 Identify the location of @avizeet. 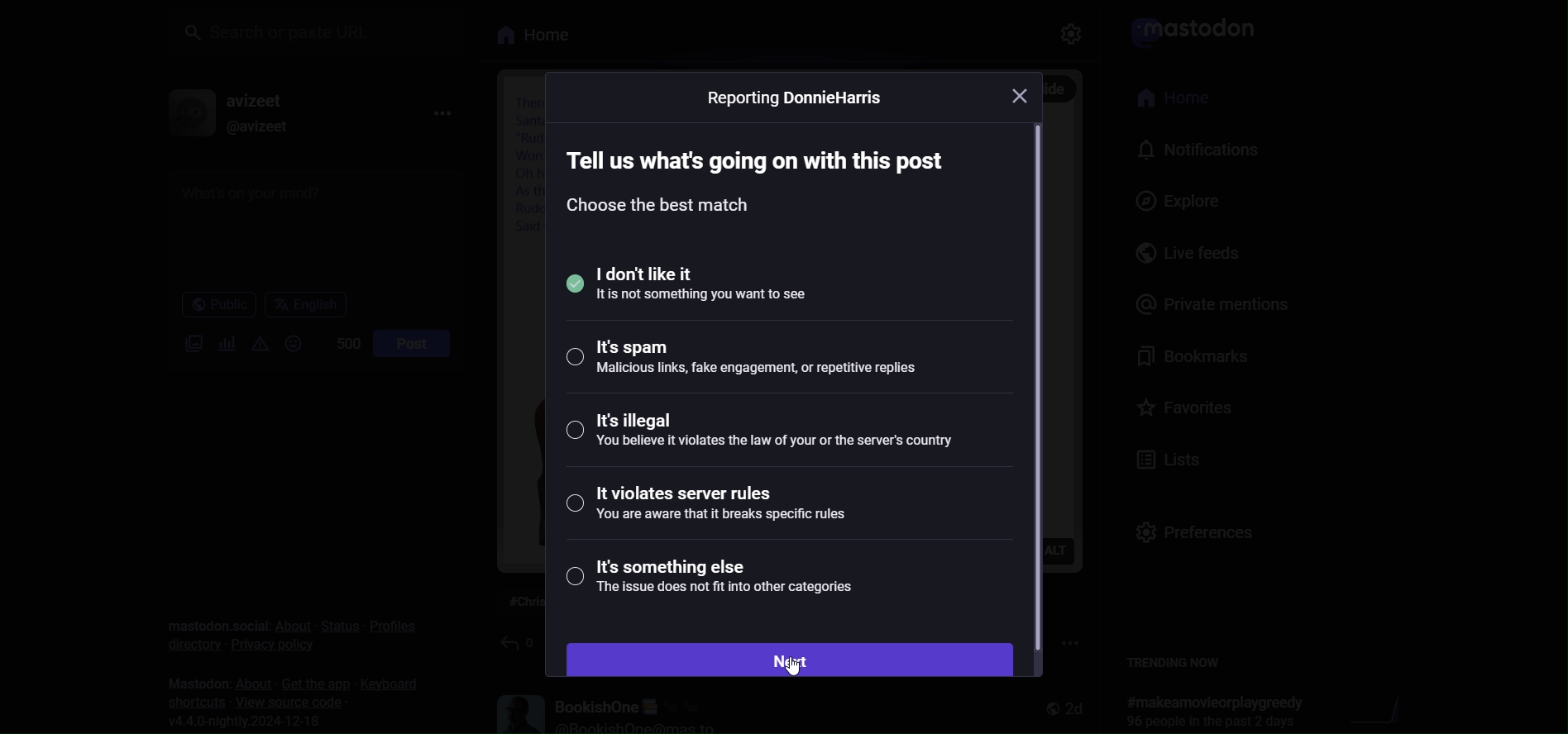
(253, 126).